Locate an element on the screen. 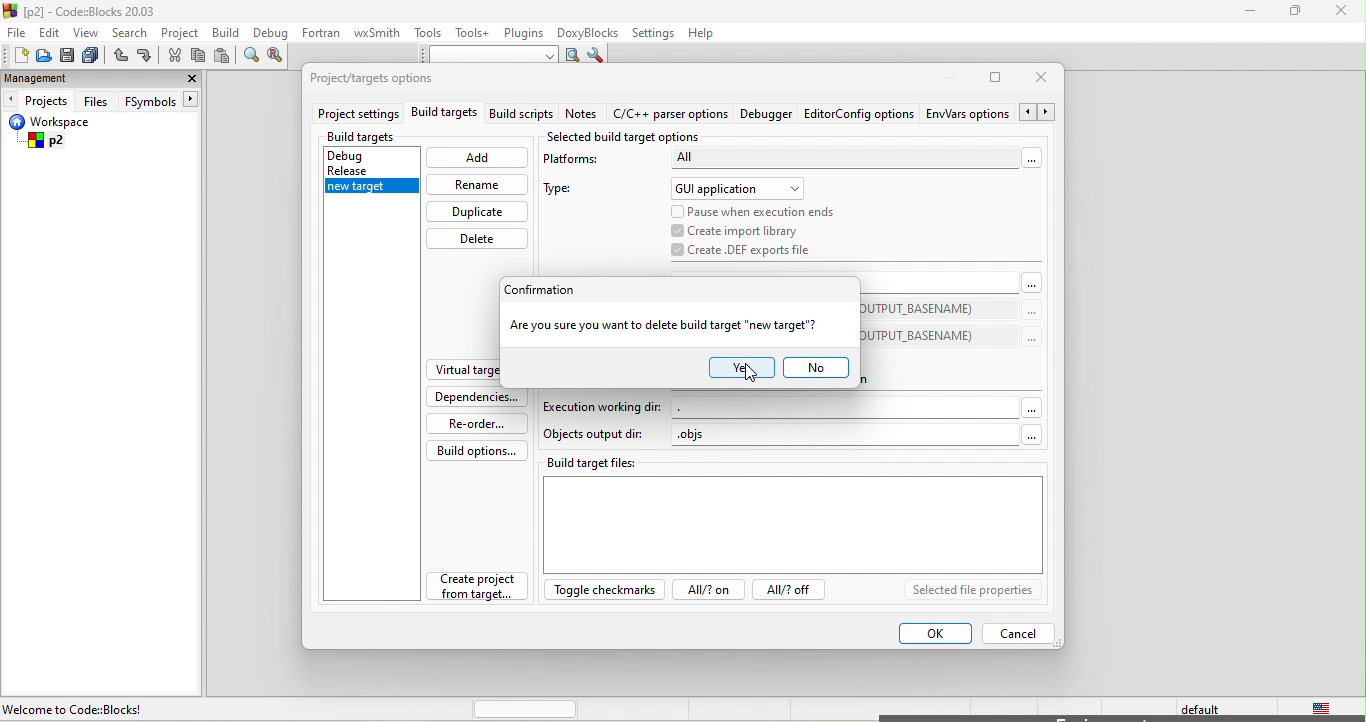  [p2] - Code=Blocks 20.03 is located at coordinates (88, 12).